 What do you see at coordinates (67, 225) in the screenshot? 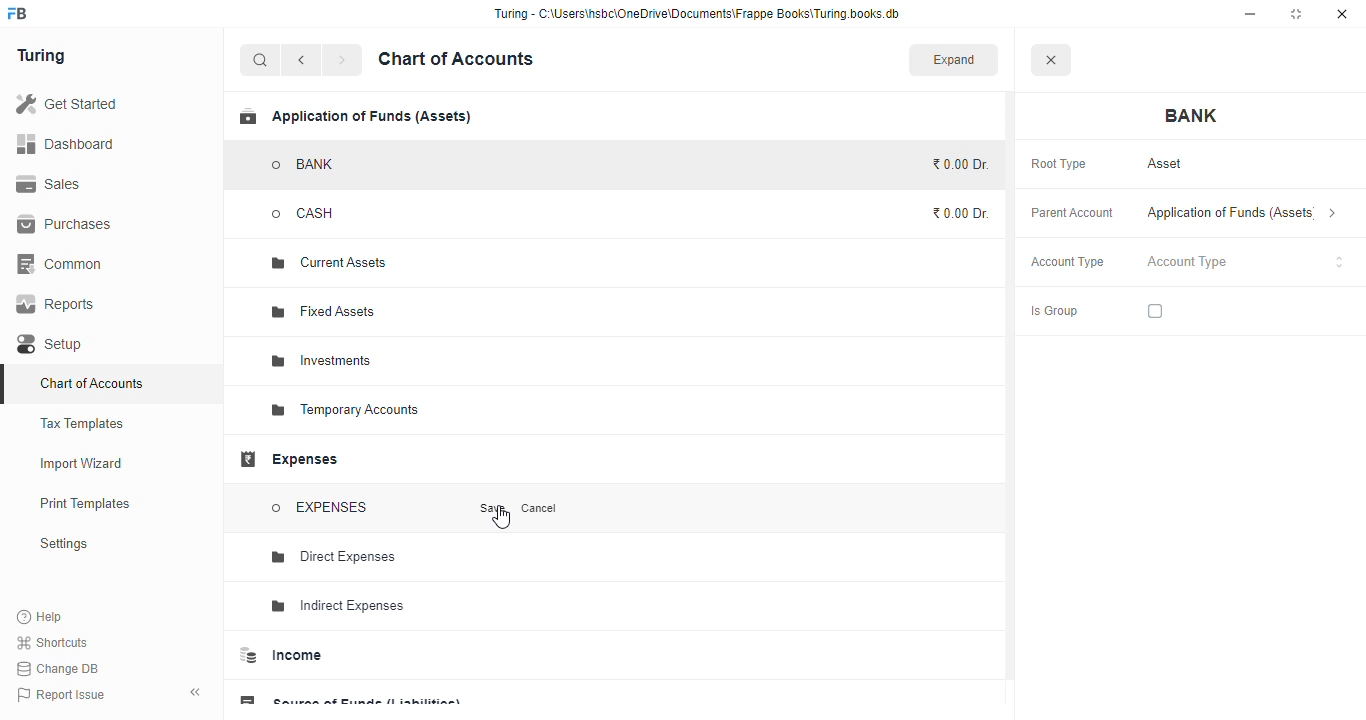
I see `purchases` at bounding box center [67, 225].